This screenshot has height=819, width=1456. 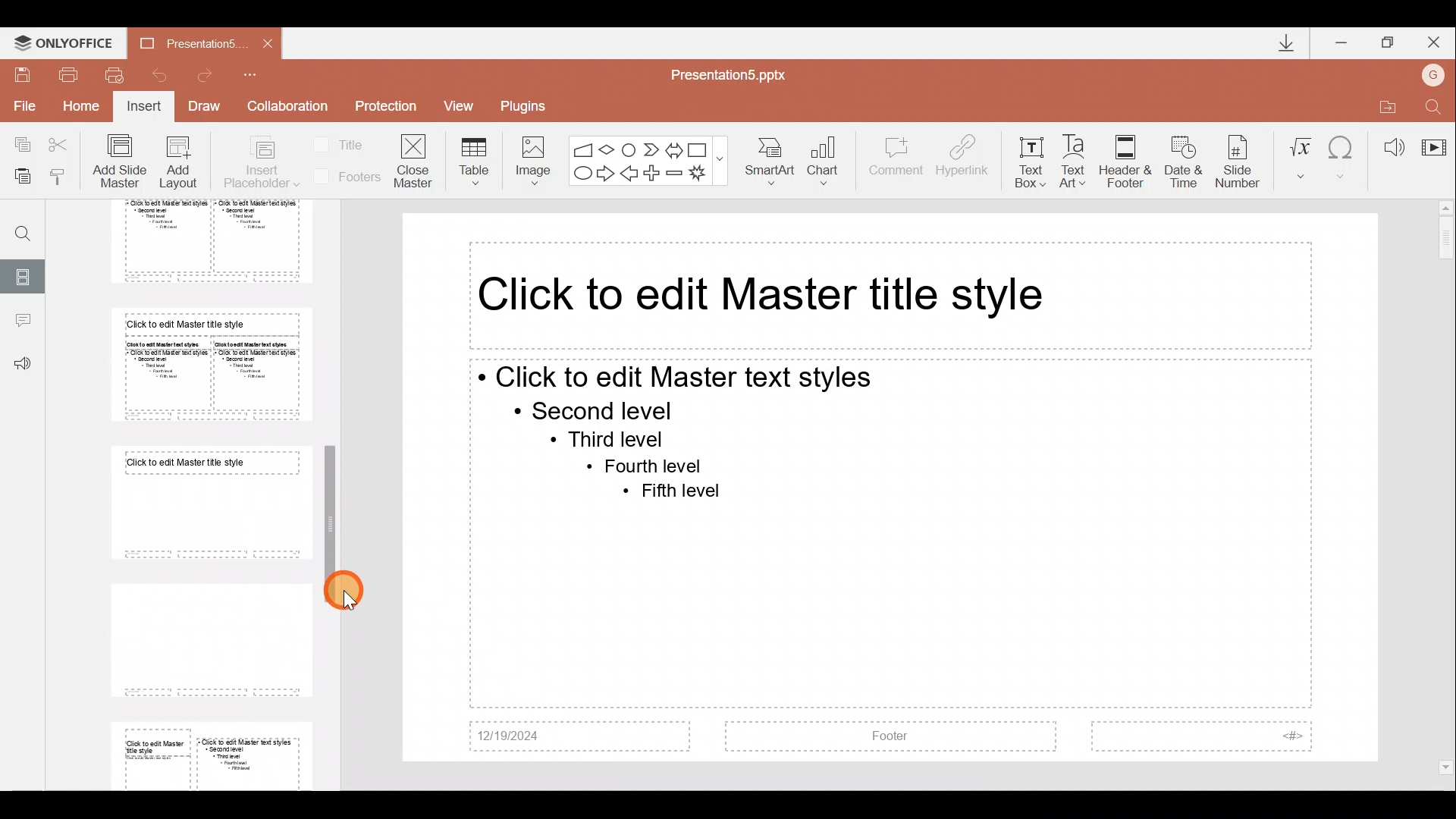 What do you see at coordinates (123, 162) in the screenshot?
I see `Add slide master` at bounding box center [123, 162].